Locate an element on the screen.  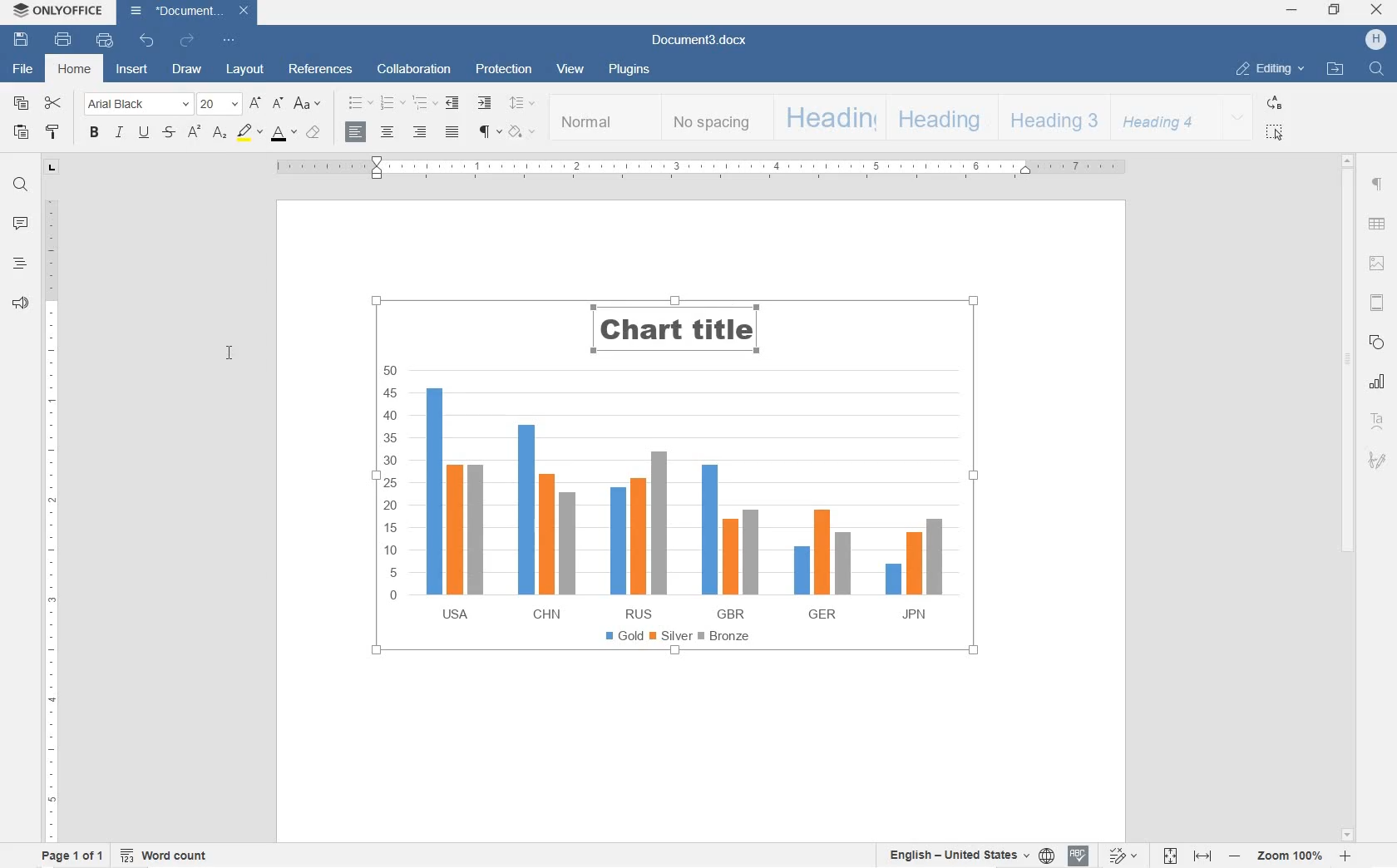
IMAGE SETTINGS is located at coordinates (1377, 262).